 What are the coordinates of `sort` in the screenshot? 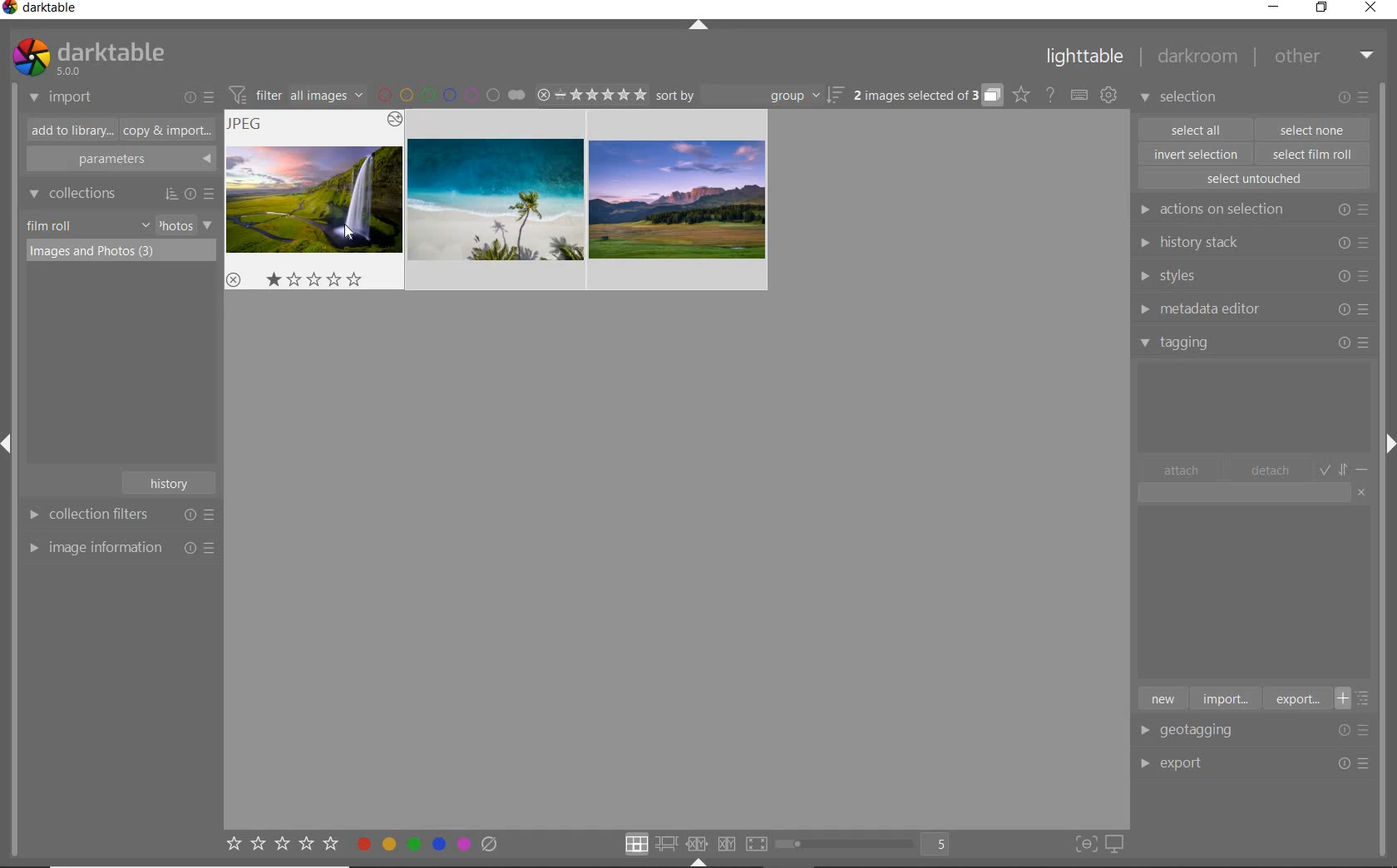 It's located at (750, 96).